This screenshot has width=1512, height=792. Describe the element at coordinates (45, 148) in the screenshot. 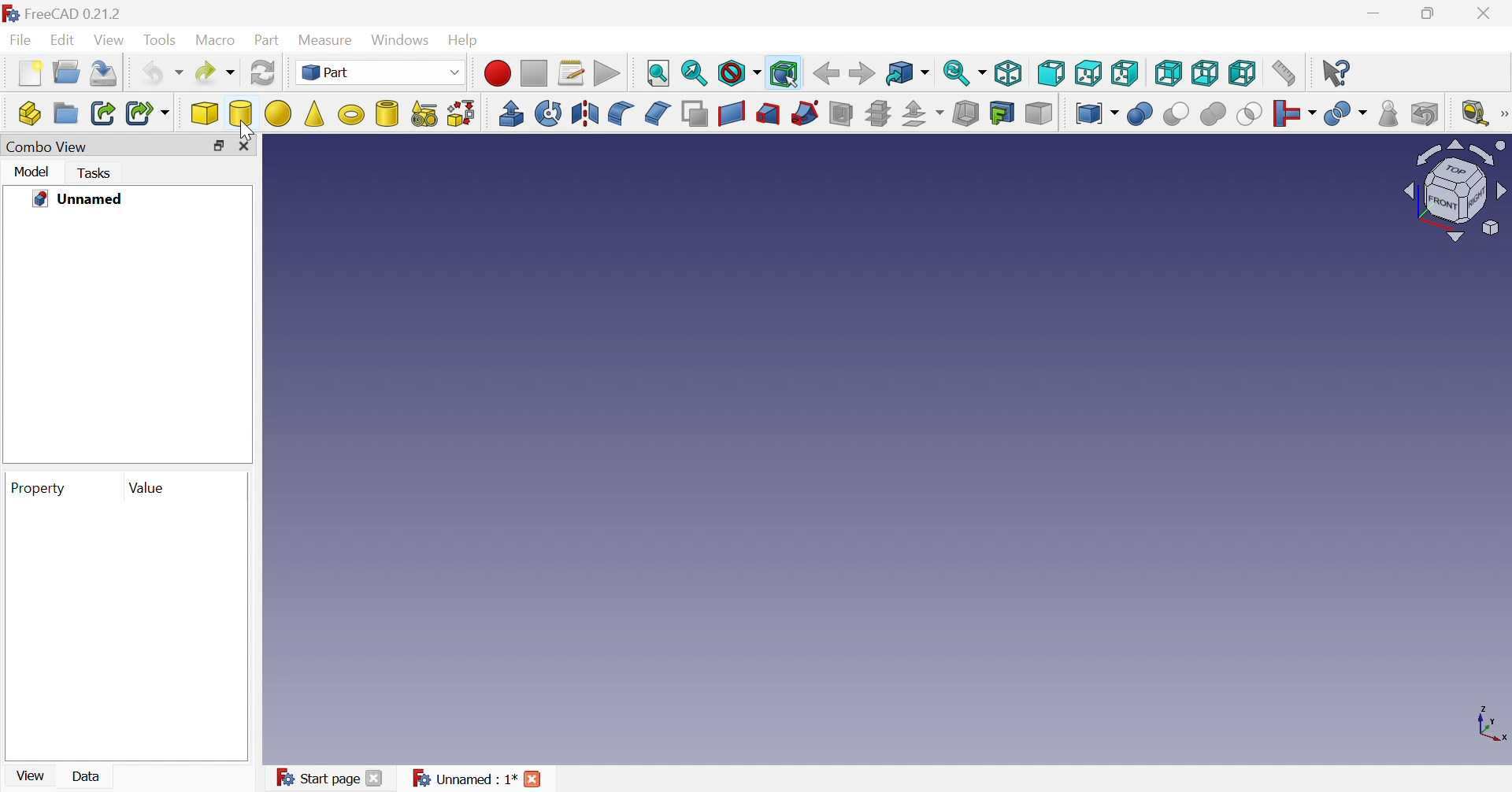

I see `Combo view` at that location.